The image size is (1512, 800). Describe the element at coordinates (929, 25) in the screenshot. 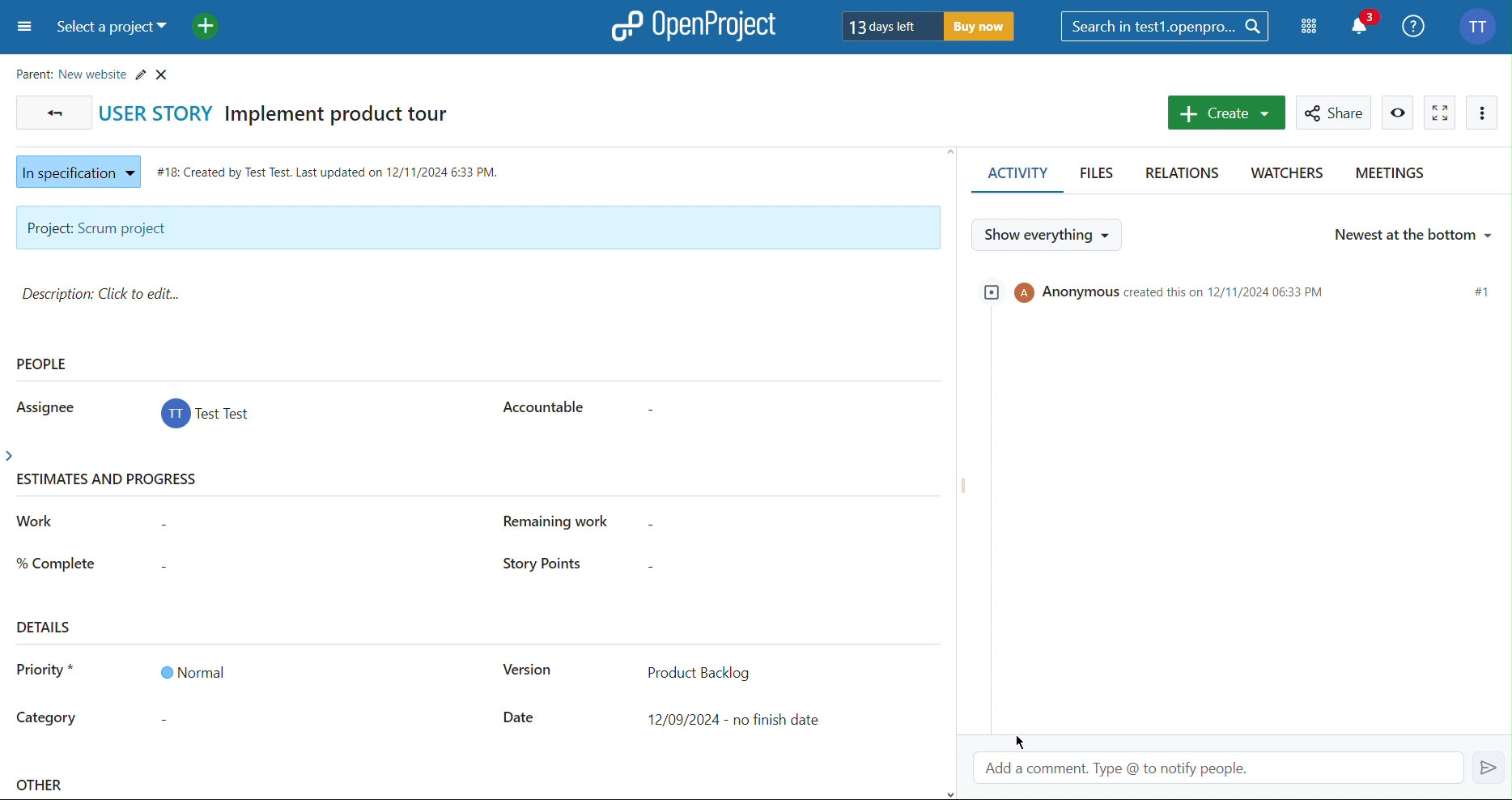

I see `Trial period timer` at that location.